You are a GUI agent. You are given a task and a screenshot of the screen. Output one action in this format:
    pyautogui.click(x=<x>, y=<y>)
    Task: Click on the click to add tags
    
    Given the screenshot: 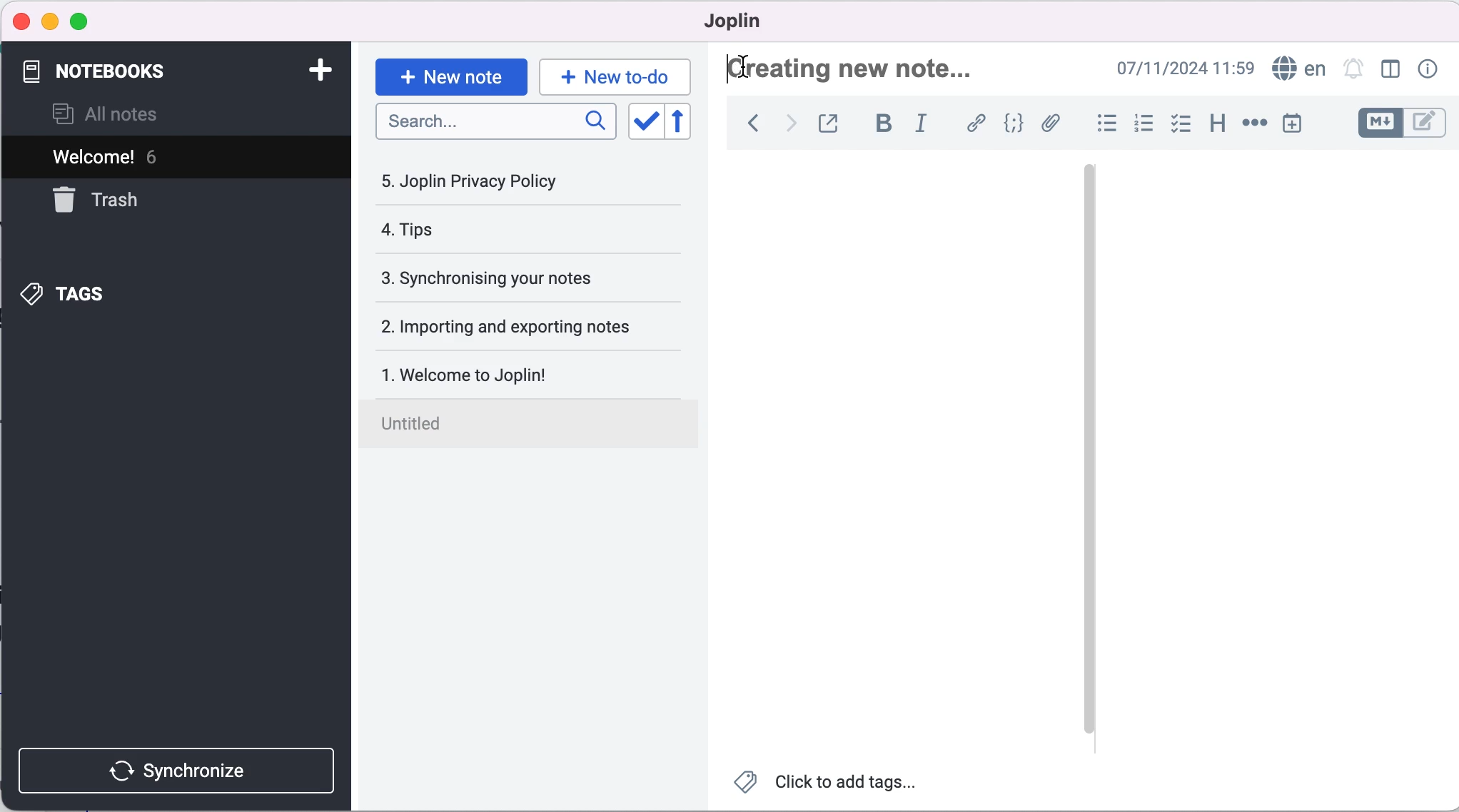 What is the action you would take?
    pyautogui.click(x=835, y=783)
    